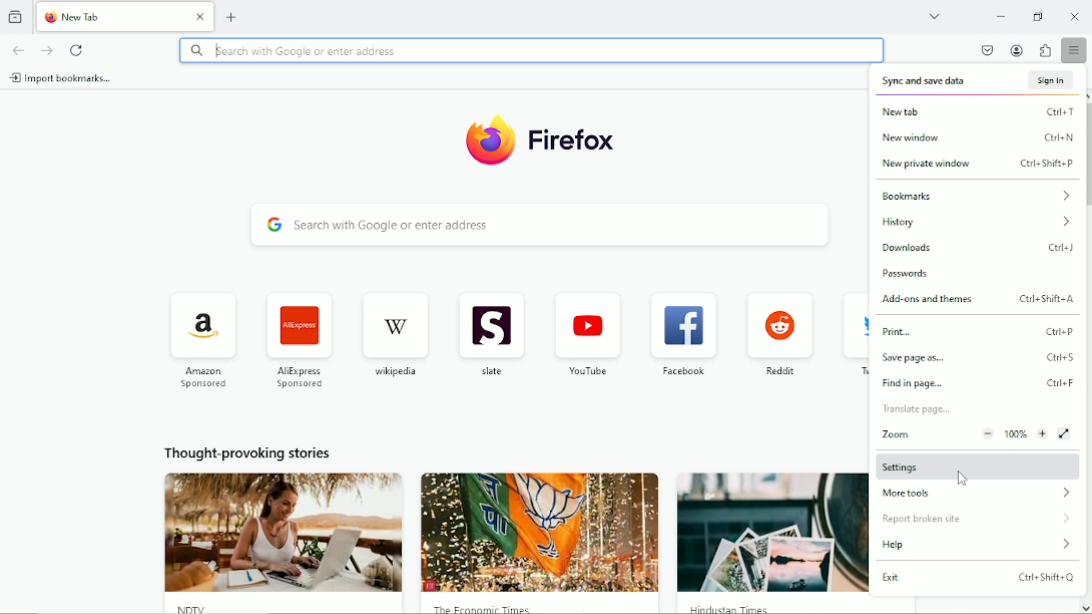 This screenshot has height=614, width=1092. I want to click on report broken site, so click(976, 520).